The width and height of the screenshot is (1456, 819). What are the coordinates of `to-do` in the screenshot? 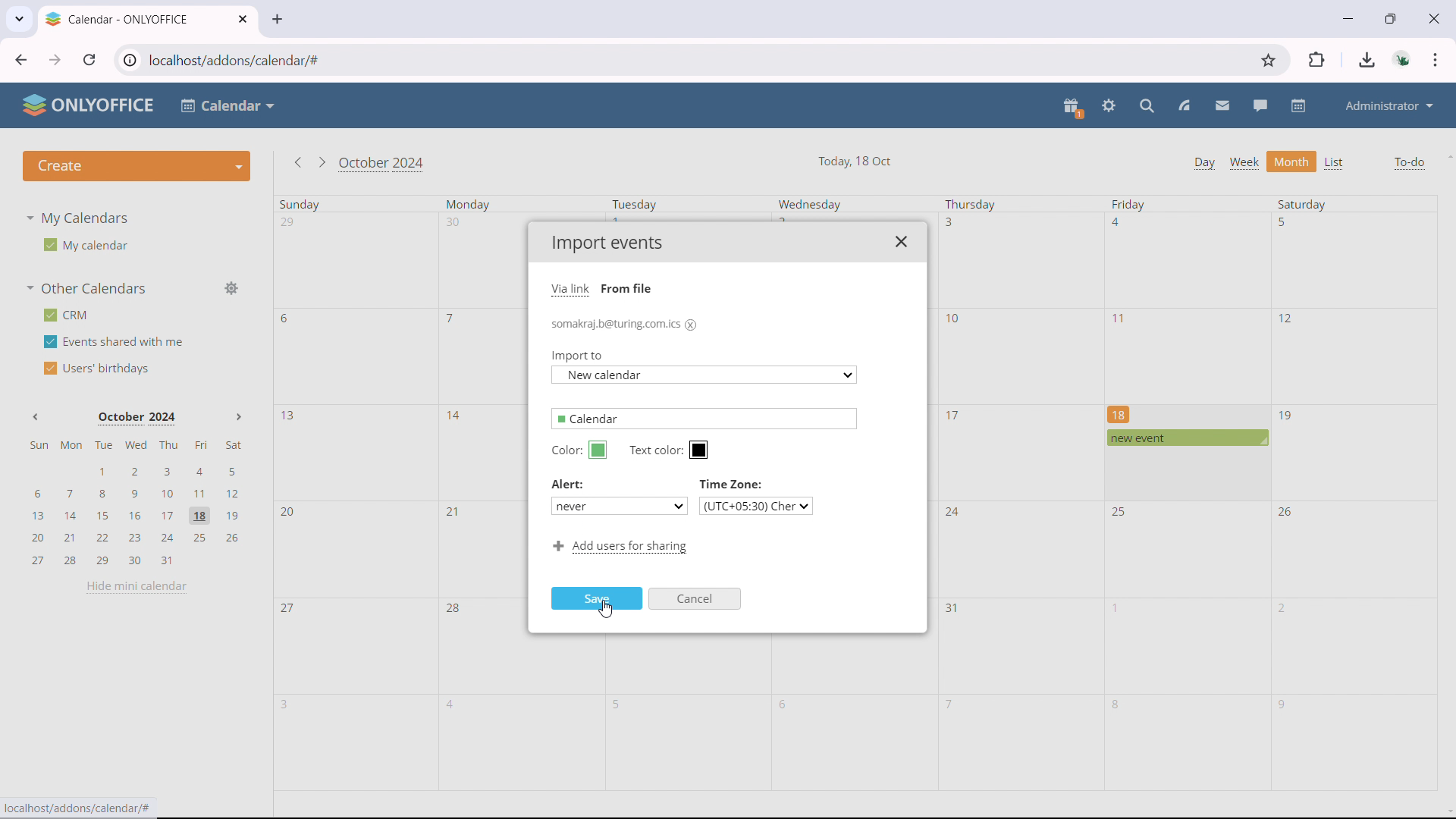 It's located at (1409, 163).